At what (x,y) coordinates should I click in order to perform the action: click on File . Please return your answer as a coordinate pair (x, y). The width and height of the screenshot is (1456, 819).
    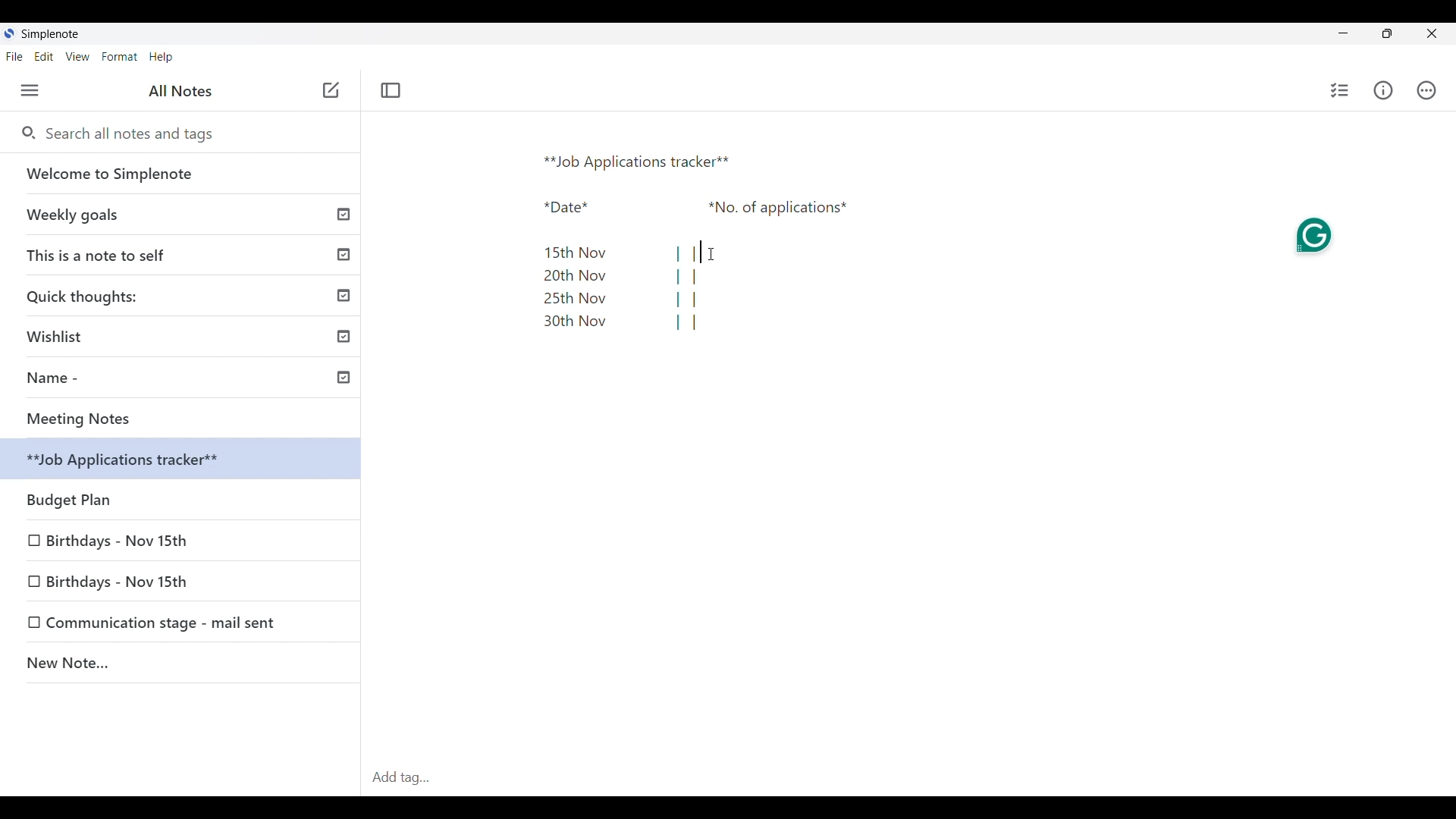
    Looking at the image, I should click on (14, 56).